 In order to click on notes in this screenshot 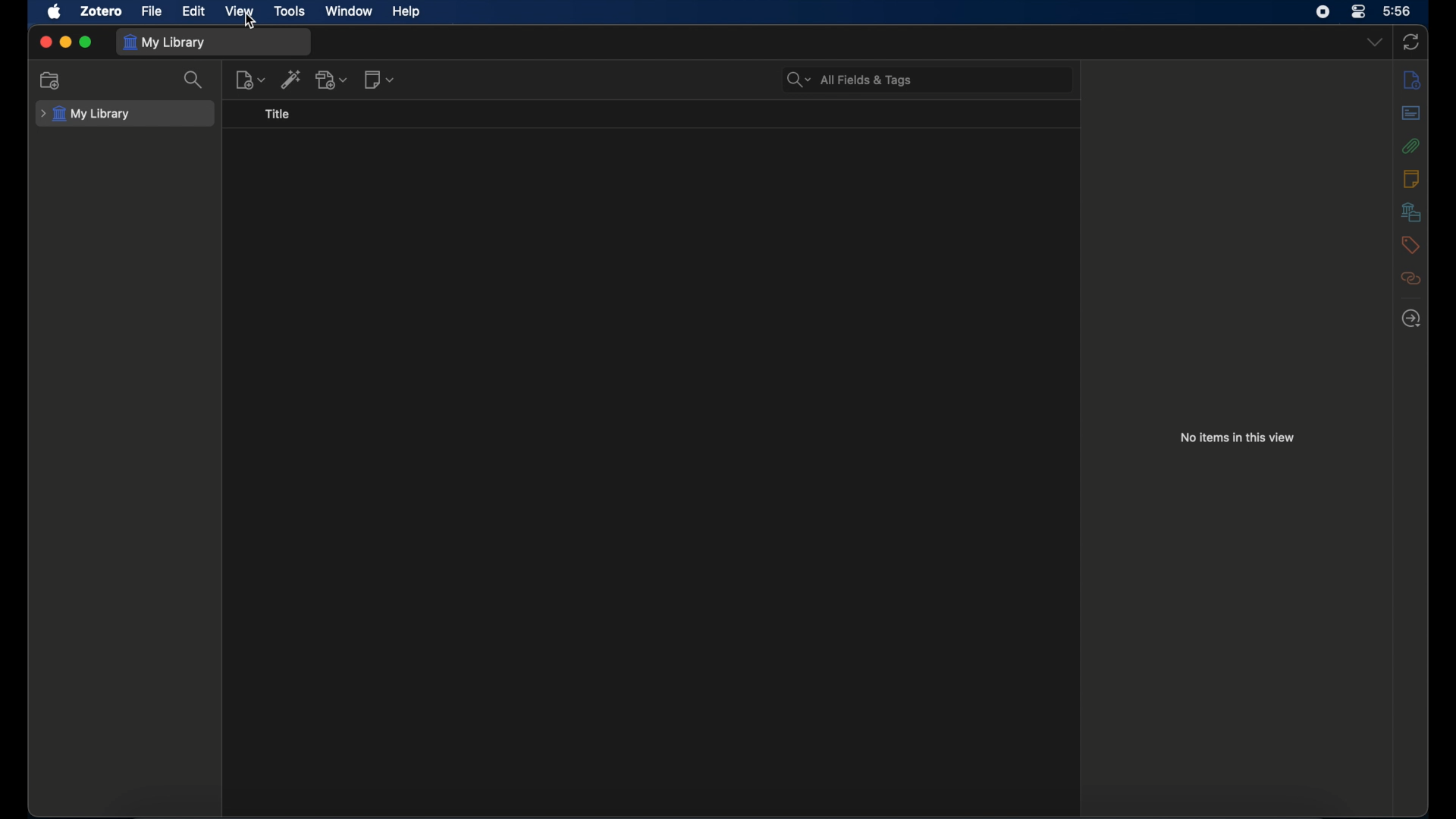, I will do `click(1410, 178)`.